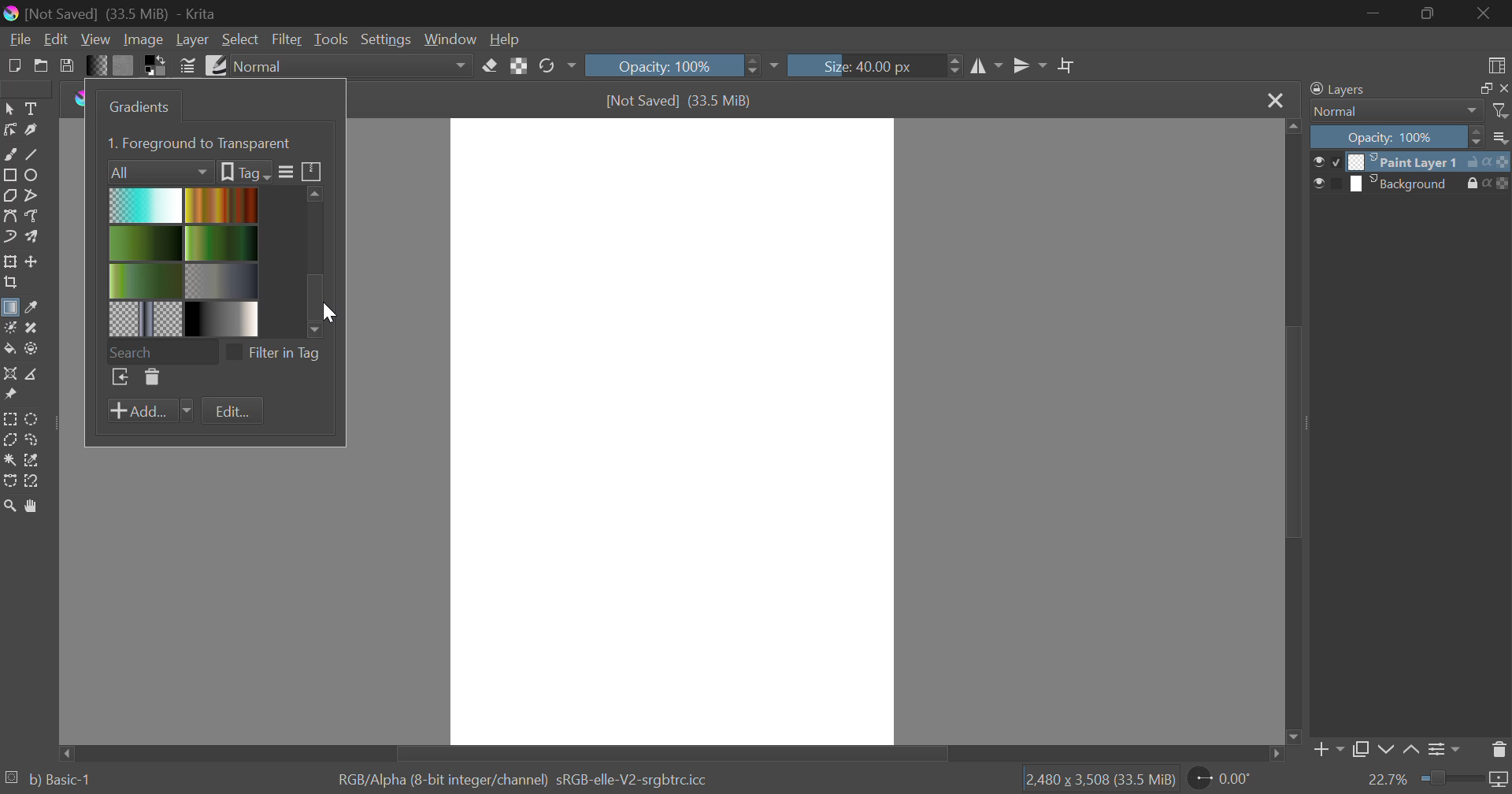 Image resolution: width=1512 pixels, height=794 pixels. I want to click on Polyline, so click(30, 194).